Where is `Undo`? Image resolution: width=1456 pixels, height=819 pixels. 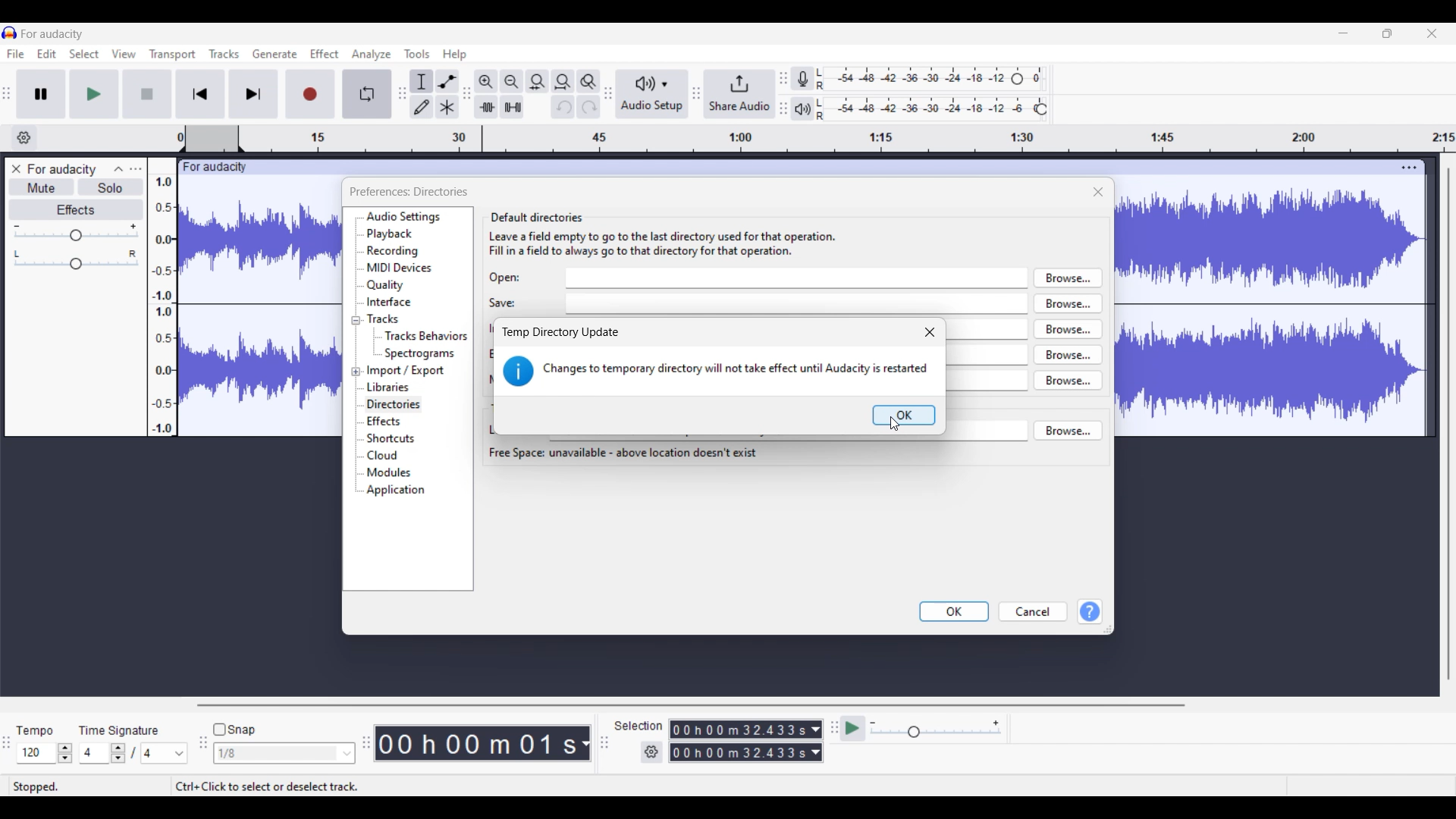 Undo is located at coordinates (563, 107).